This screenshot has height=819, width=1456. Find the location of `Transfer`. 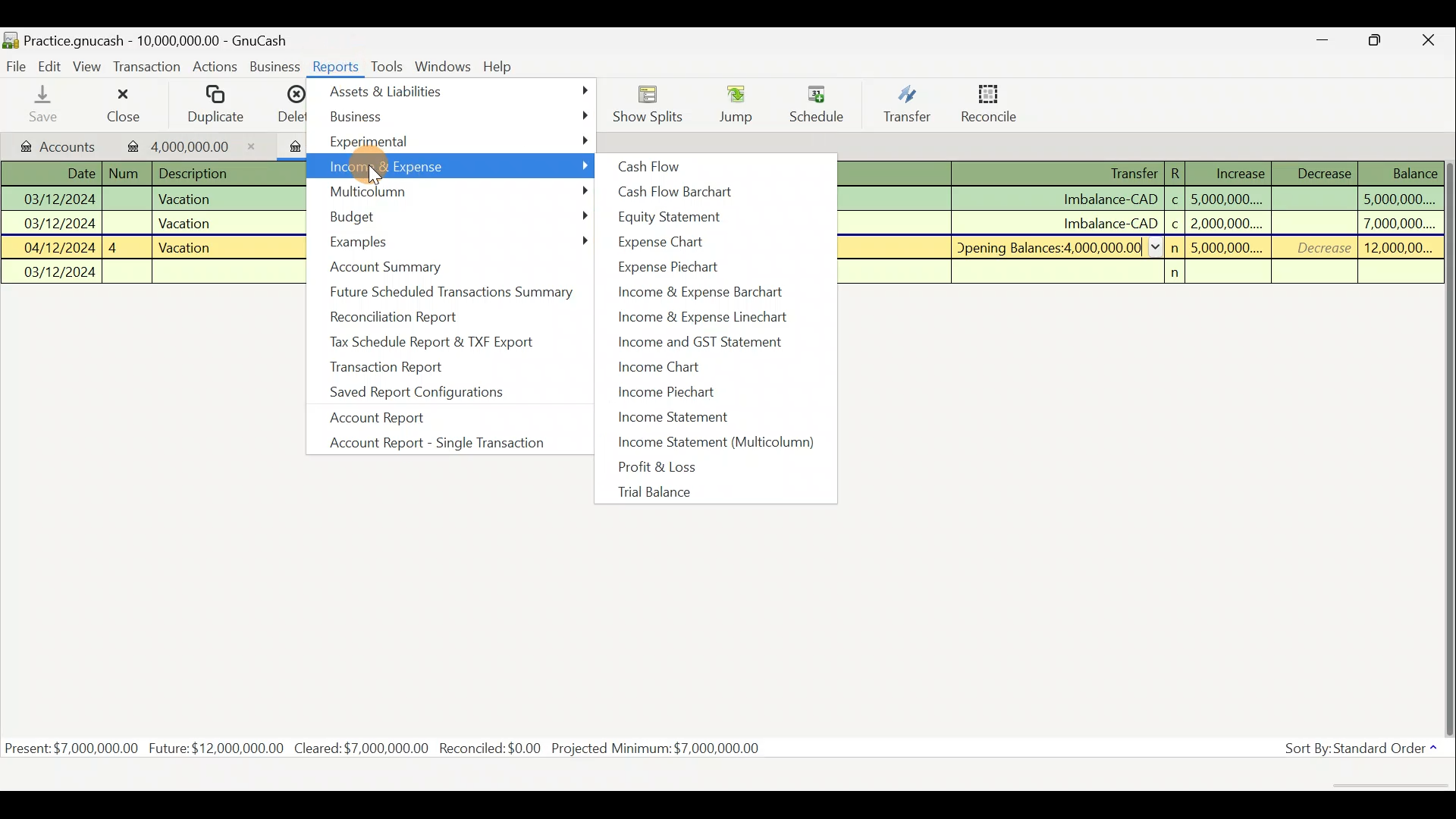

Transfer is located at coordinates (1134, 173).